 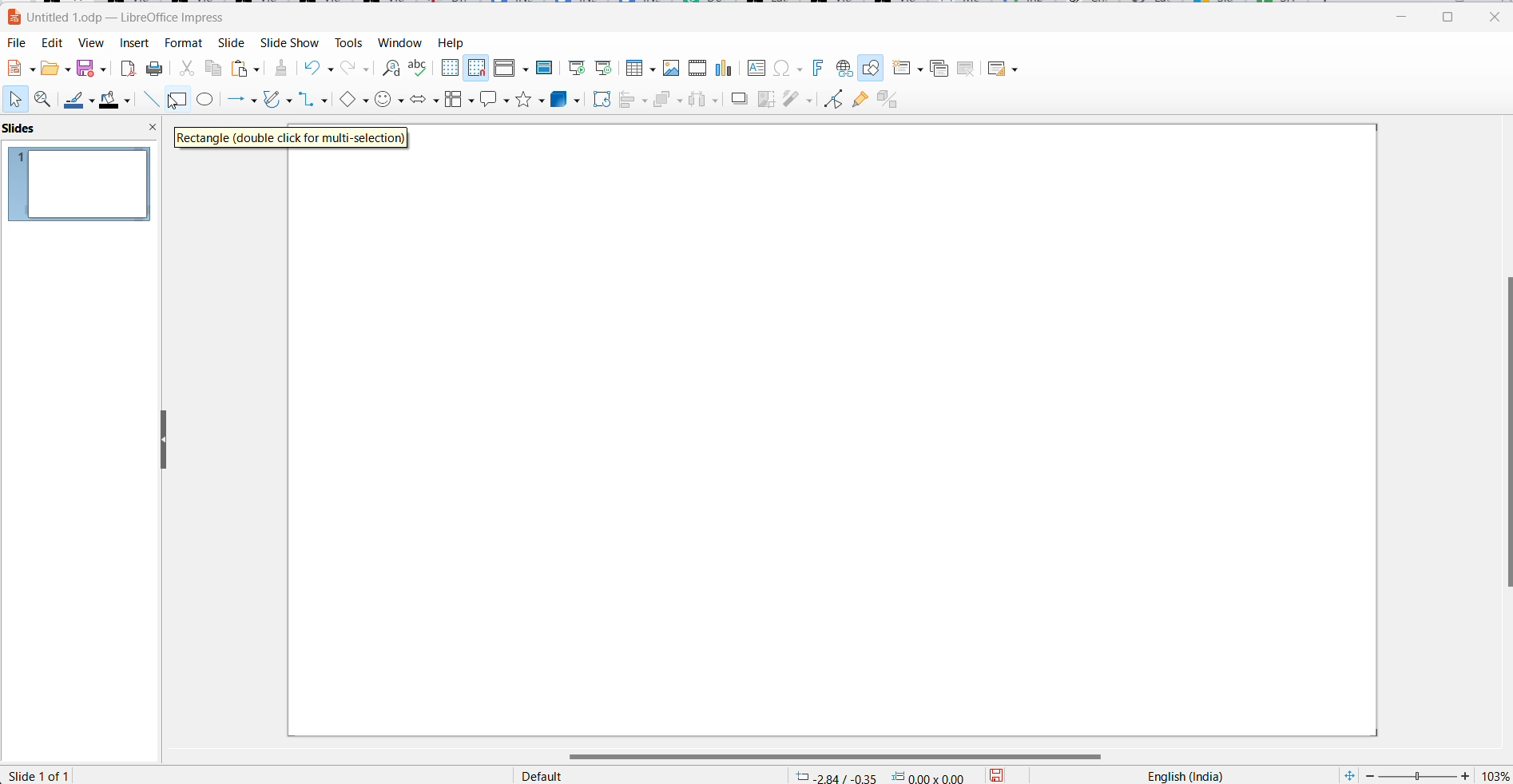 What do you see at coordinates (208, 101) in the screenshot?
I see `ellipse` at bounding box center [208, 101].